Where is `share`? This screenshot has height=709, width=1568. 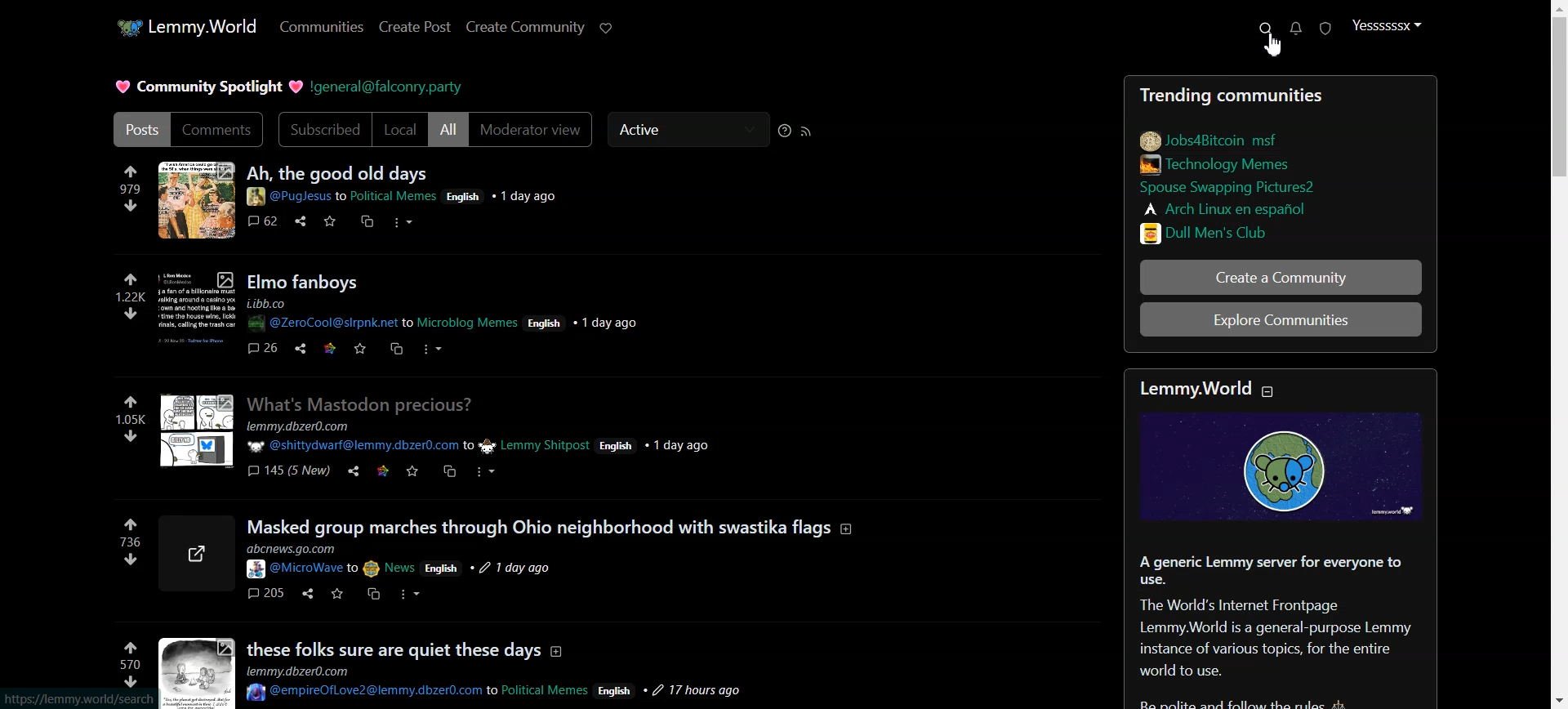
share is located at coordinates (303, 592).